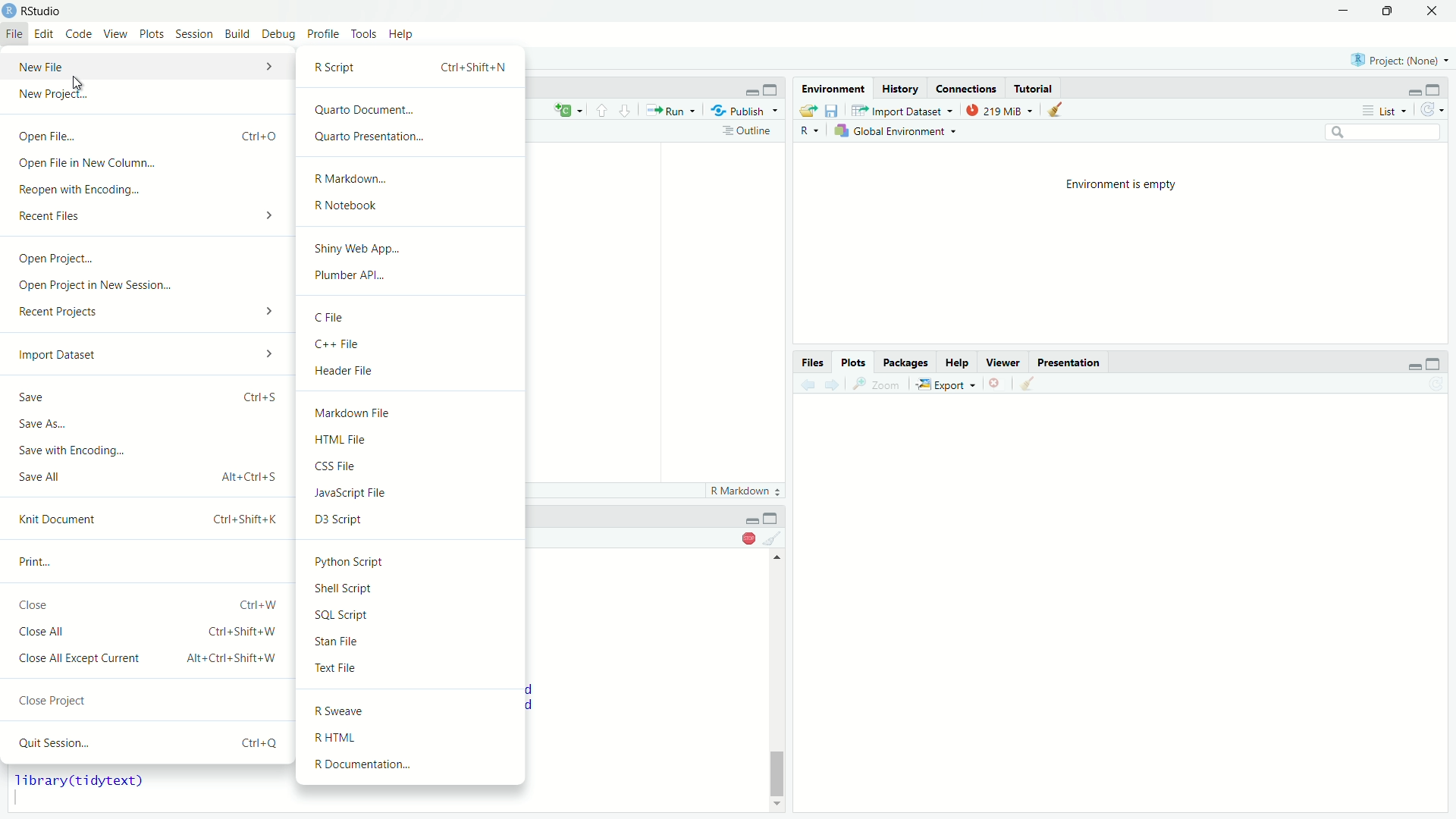  What do you see at coordinates (144, 422) in the screenshot?
I see `Save As...` at bounding box center [144, 422].